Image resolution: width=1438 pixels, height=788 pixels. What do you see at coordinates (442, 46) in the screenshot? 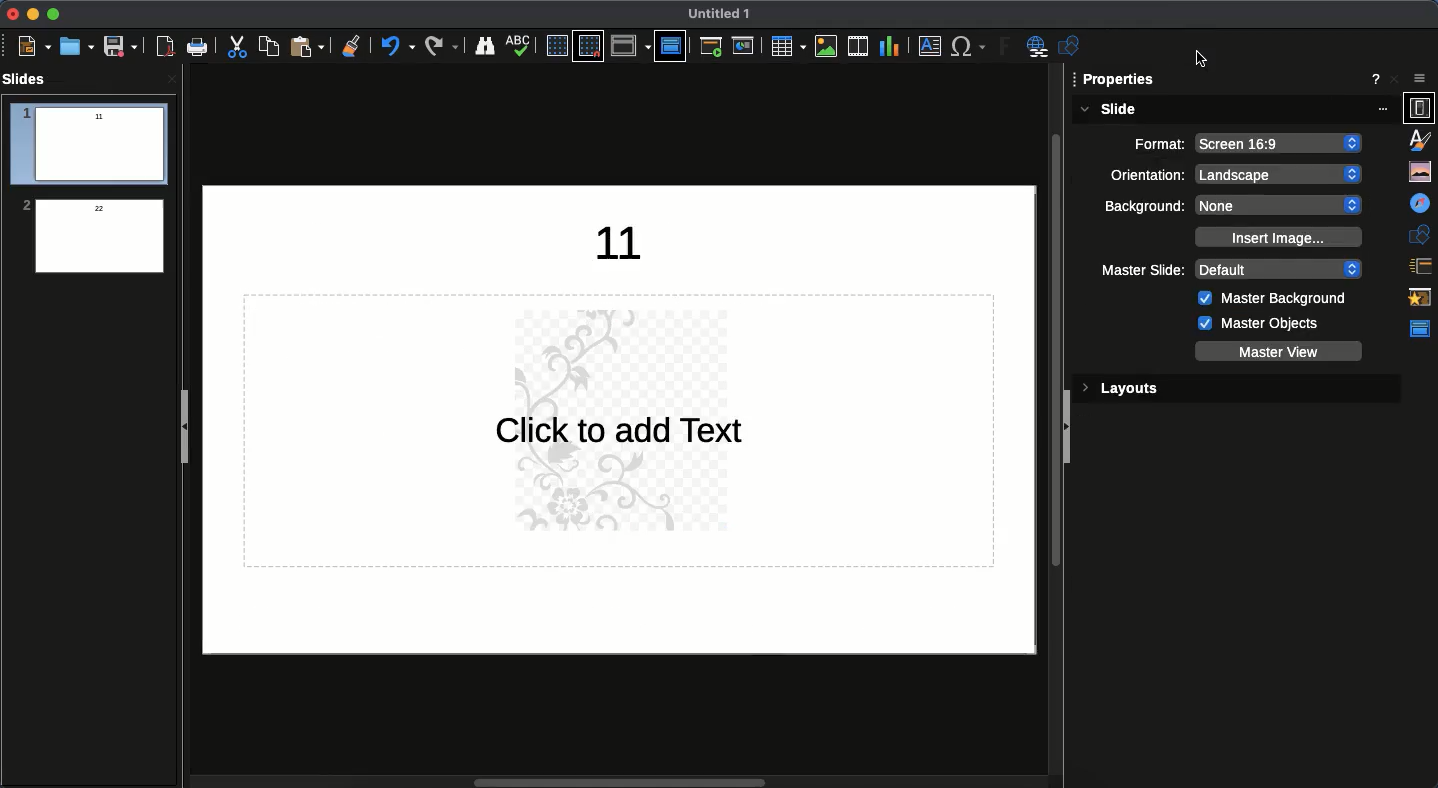
I see `Redo` at bounding box center [442, 46].